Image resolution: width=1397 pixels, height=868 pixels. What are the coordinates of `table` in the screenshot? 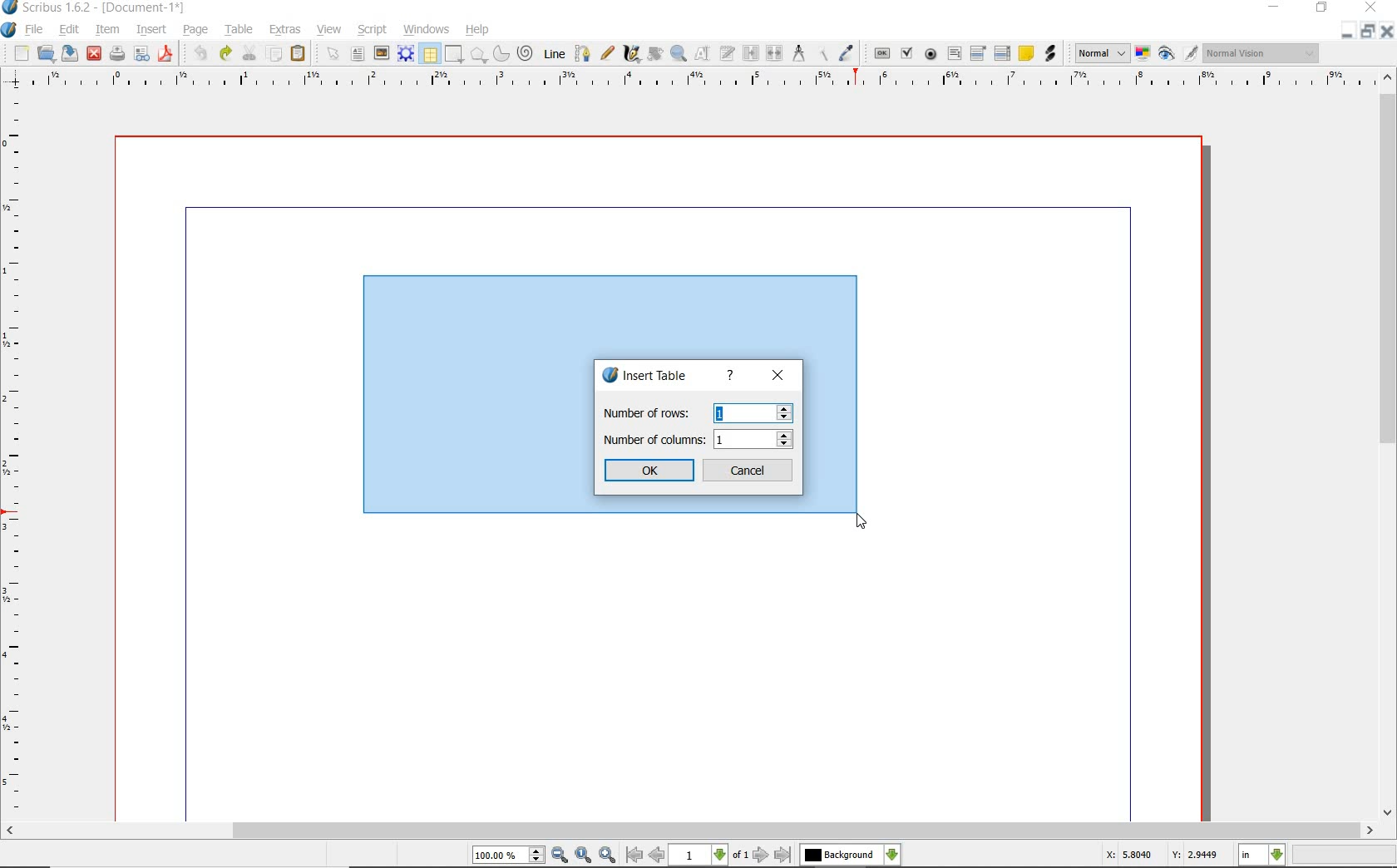 It's located at (430, 55).